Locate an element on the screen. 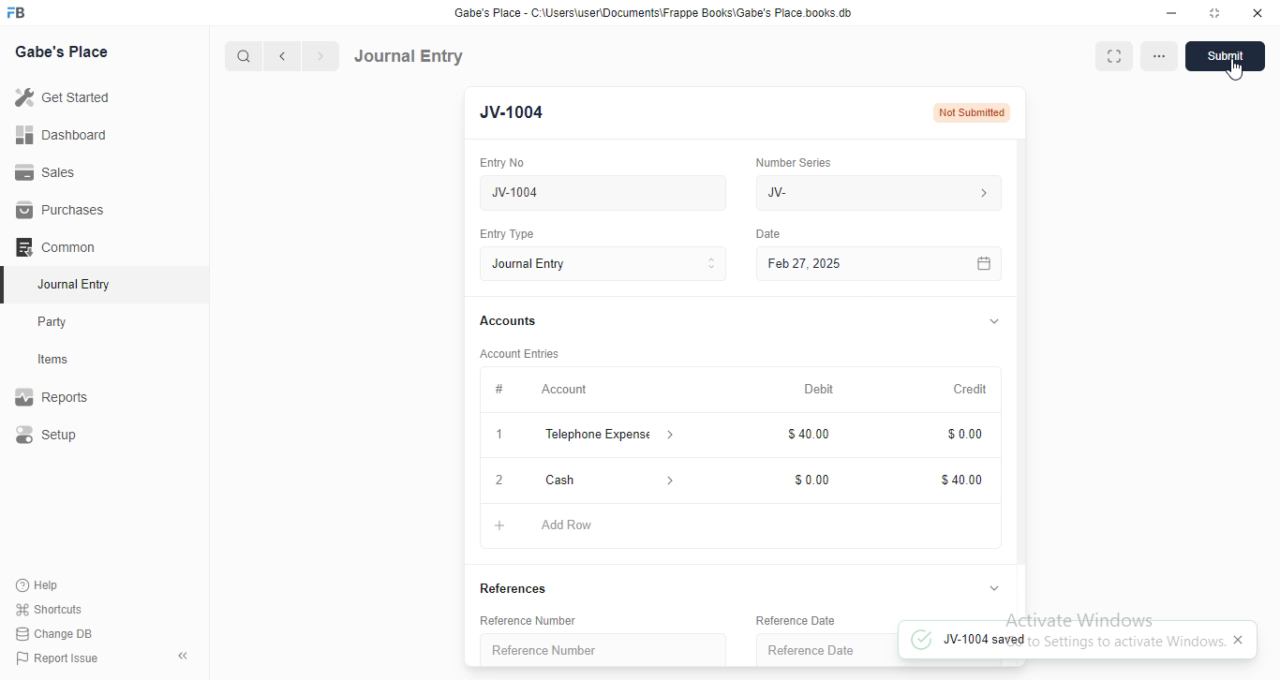  Setup is located at coordinates (49, 434).